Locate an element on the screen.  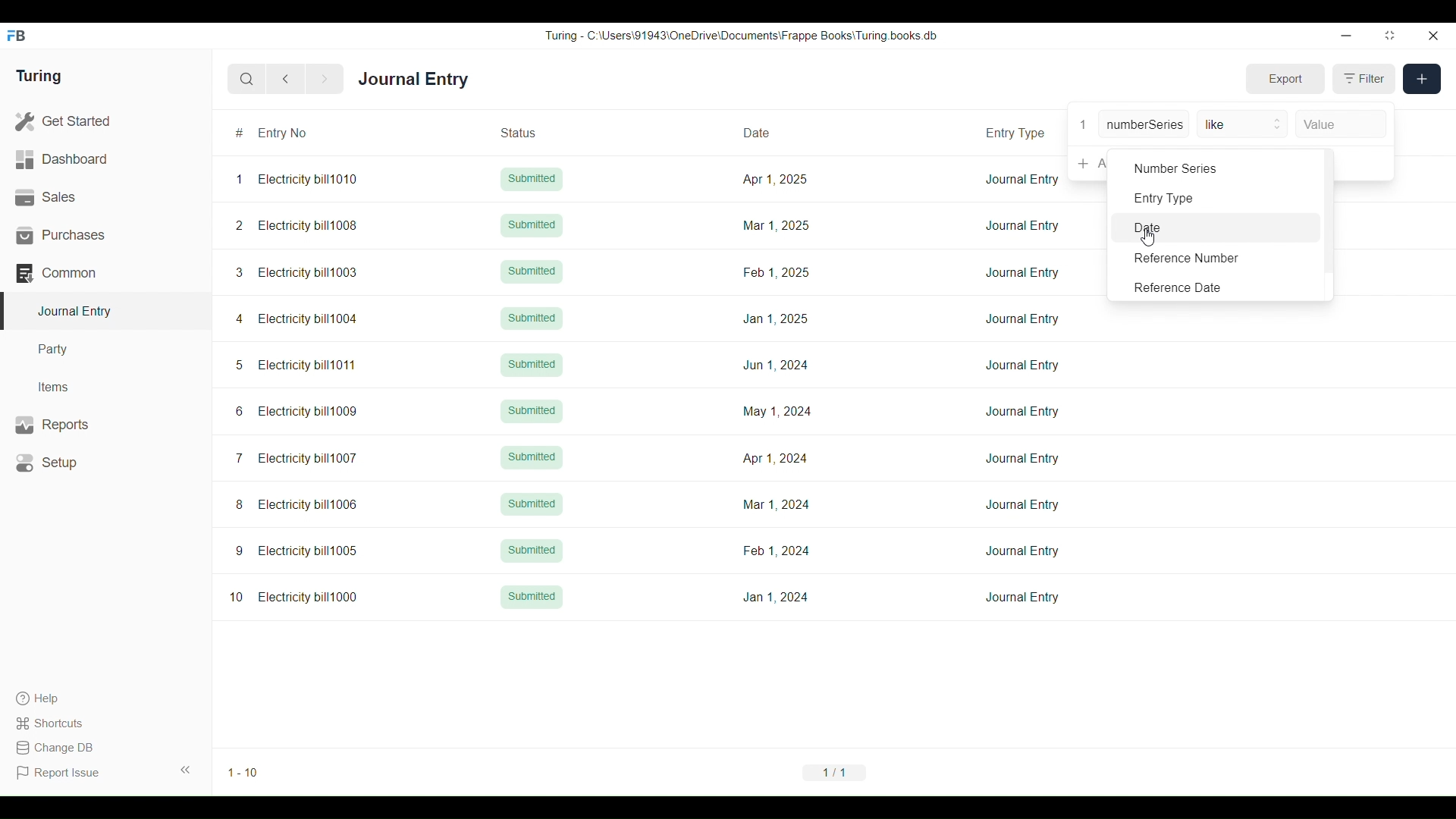
Feb 1, 2025 is located at coordinates (777, 271).